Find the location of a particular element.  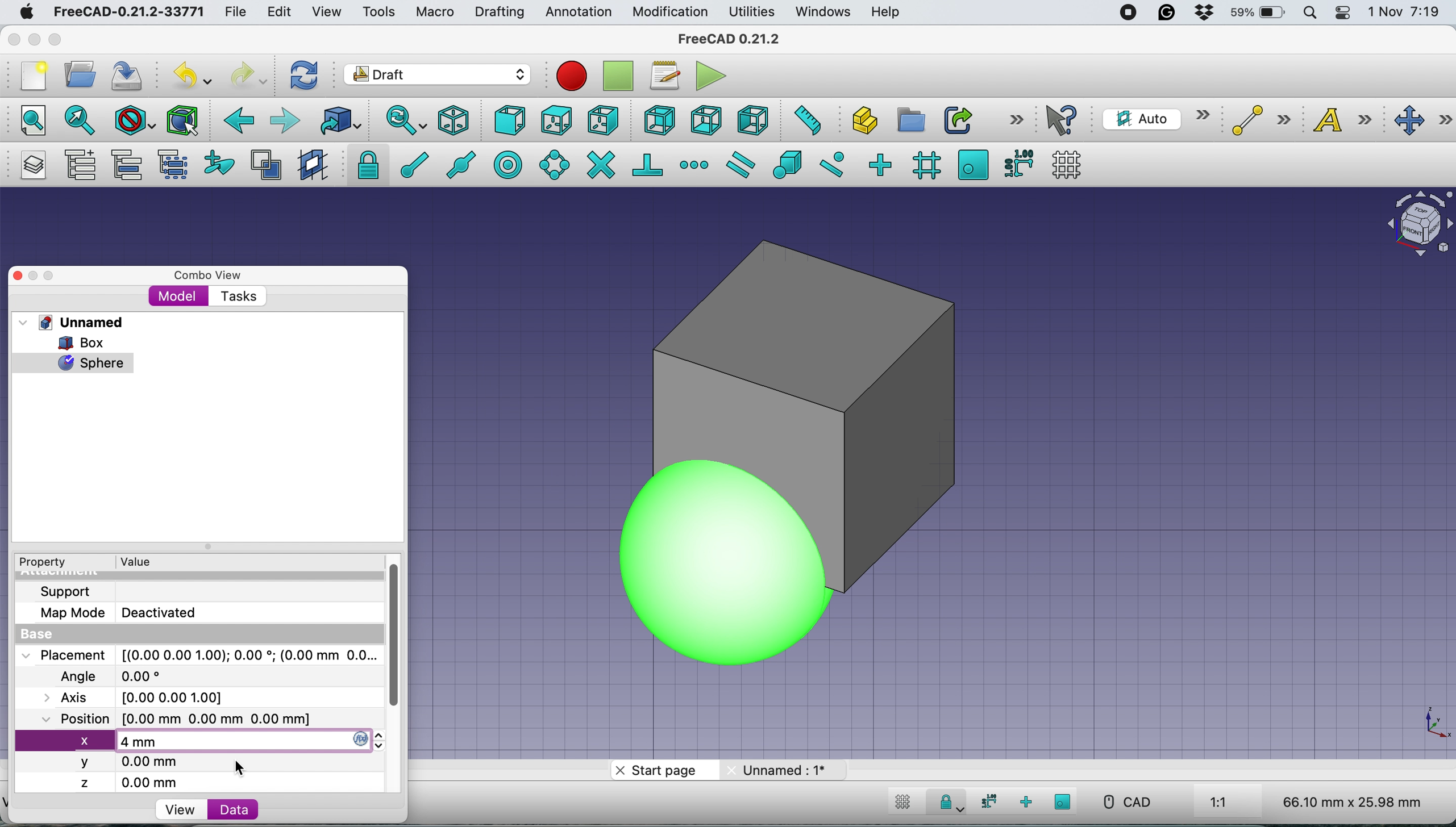

property is located at coordinates (51, 562).